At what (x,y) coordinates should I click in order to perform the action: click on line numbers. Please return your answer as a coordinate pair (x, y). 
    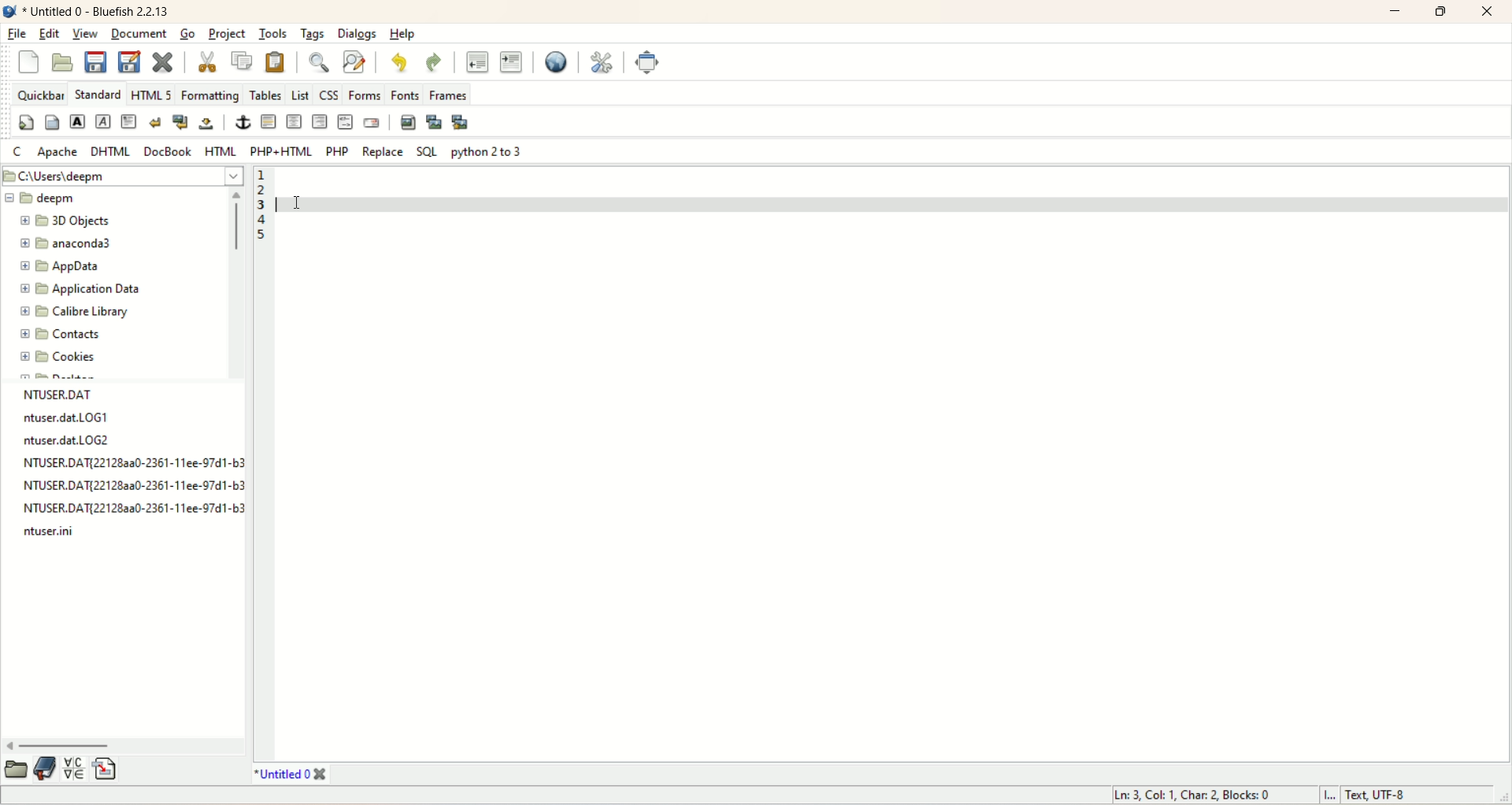
    Looking at the image, I should click on (261, 208).